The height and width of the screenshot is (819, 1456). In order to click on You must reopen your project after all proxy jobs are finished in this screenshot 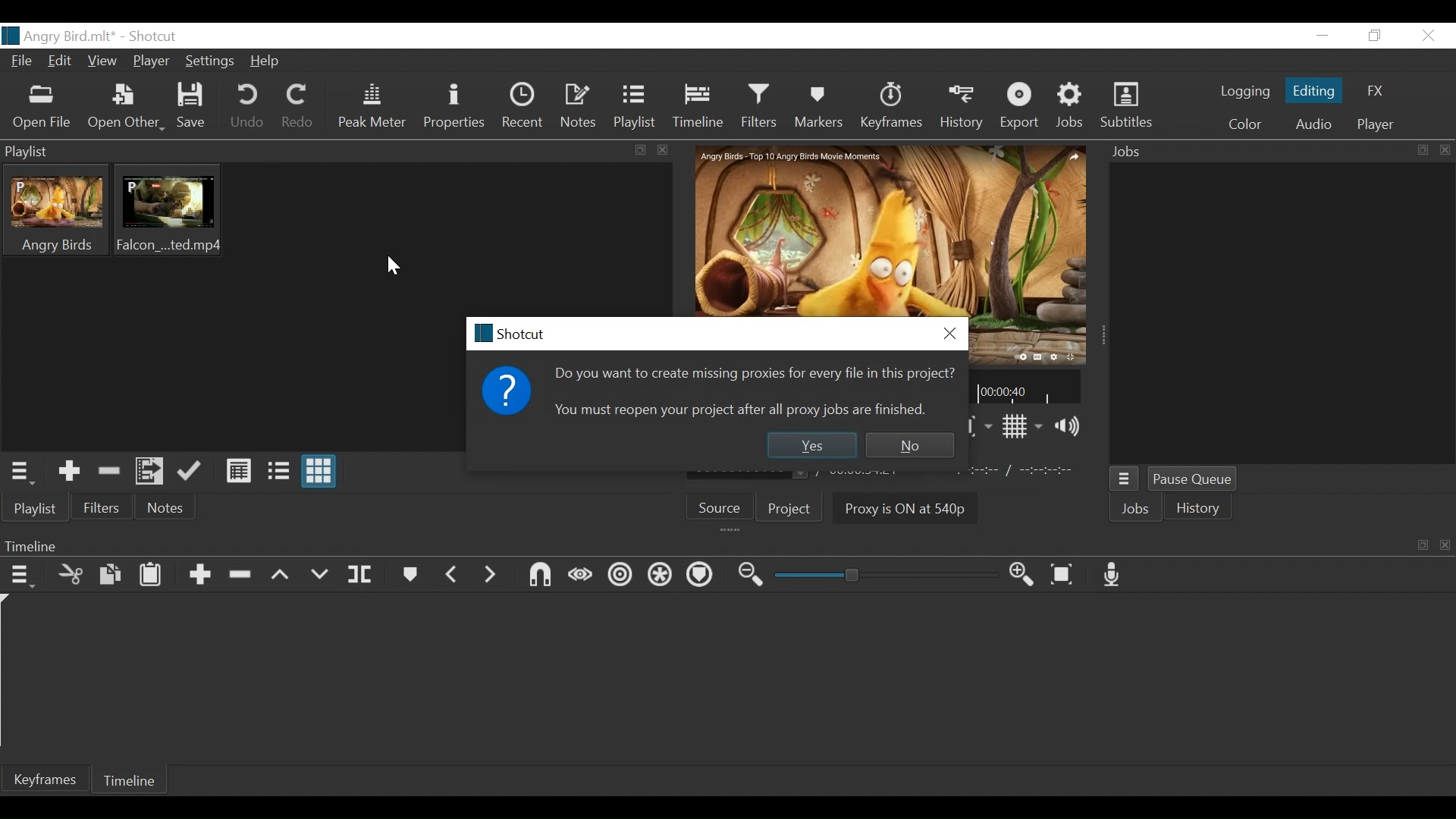, I will do `click(743, 408)`.